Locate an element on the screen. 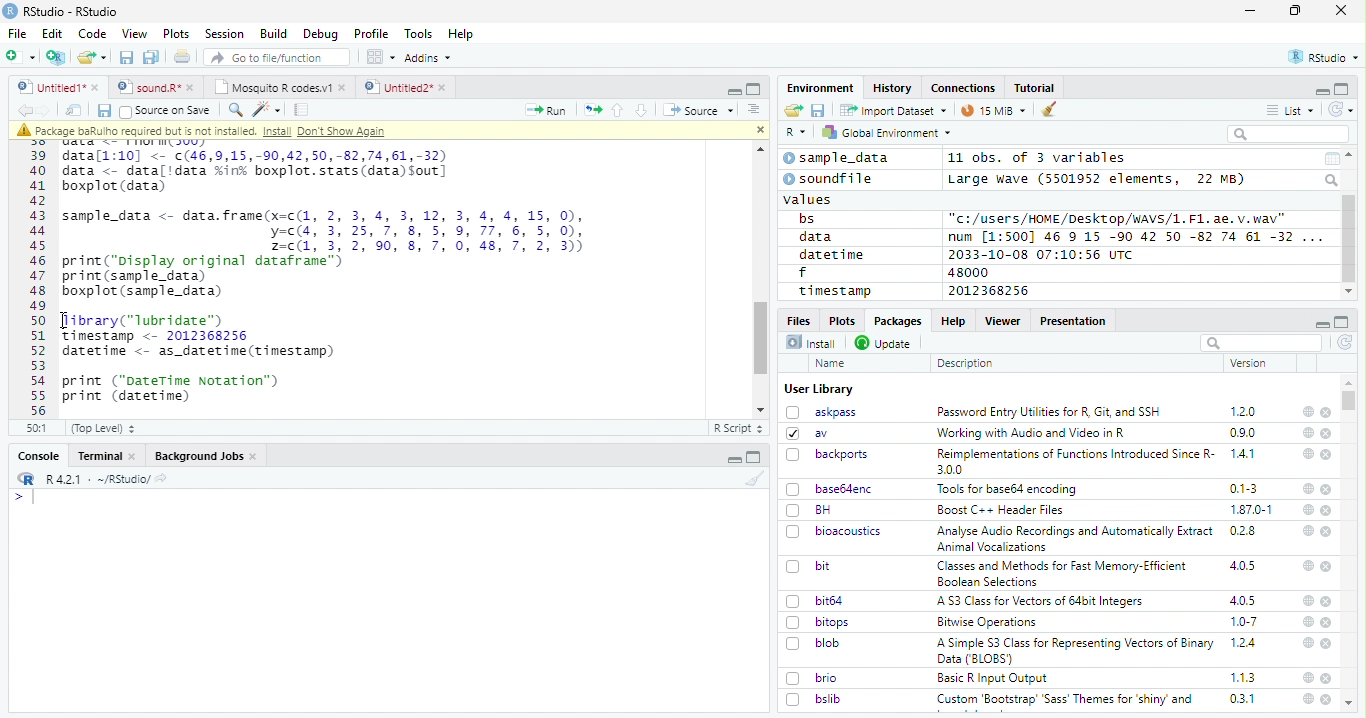 This screenshot has height=718, width=1366. Debug is located at coordinates (321, 34).